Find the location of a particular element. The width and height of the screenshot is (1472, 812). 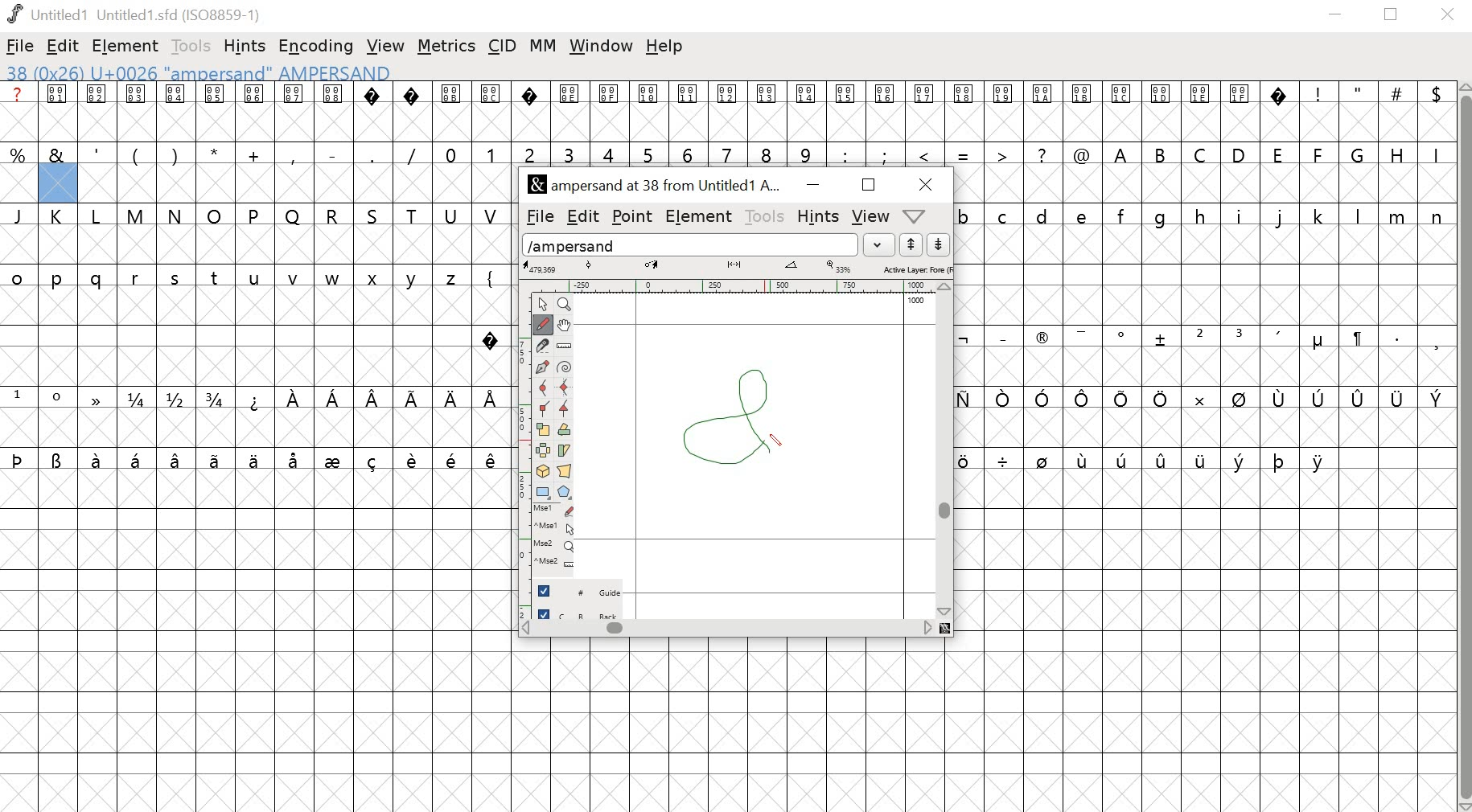

symbol is located at coordinates (19, 458).